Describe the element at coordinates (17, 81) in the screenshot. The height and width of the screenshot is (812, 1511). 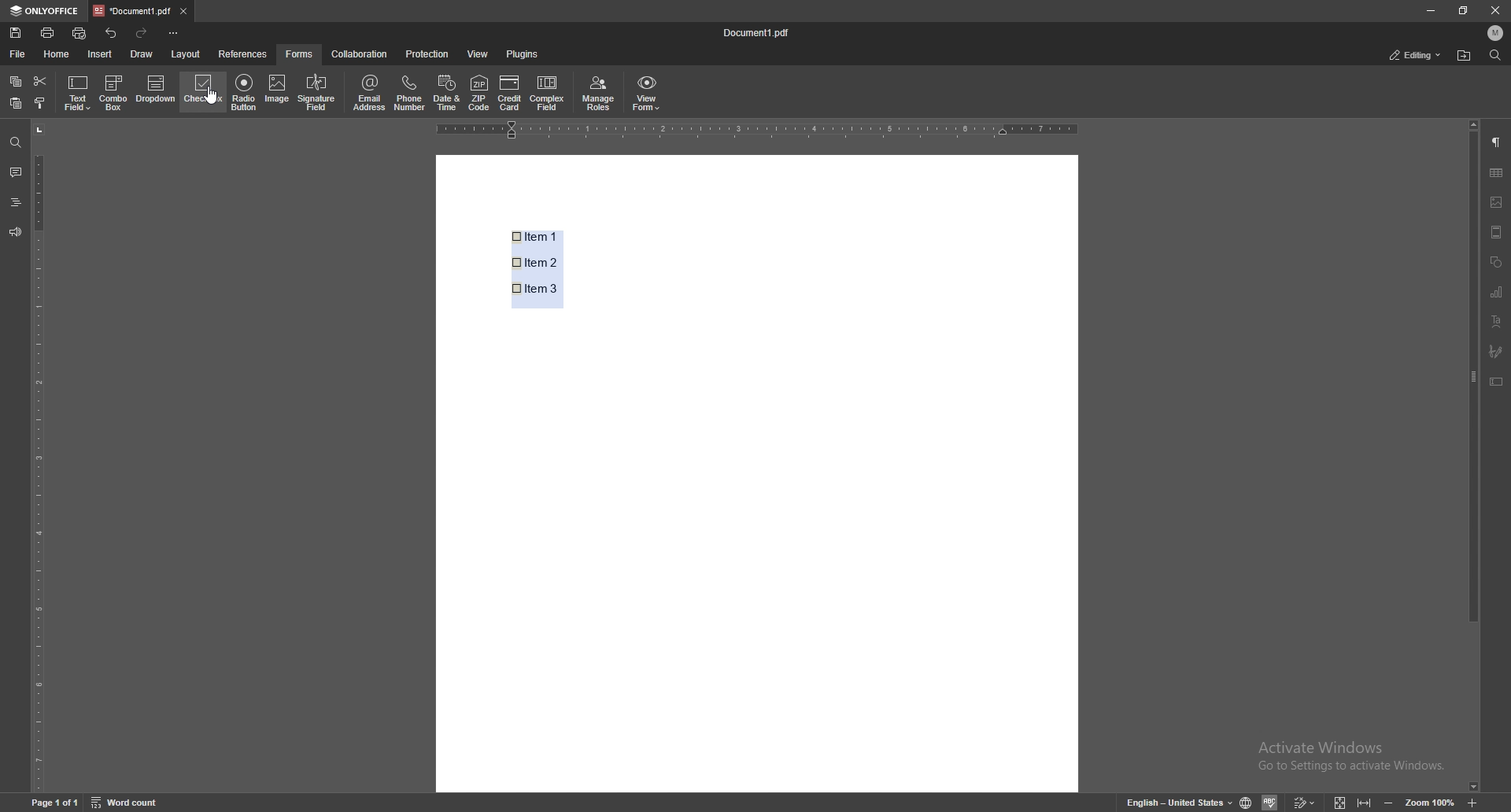
I see `copy` at that location.